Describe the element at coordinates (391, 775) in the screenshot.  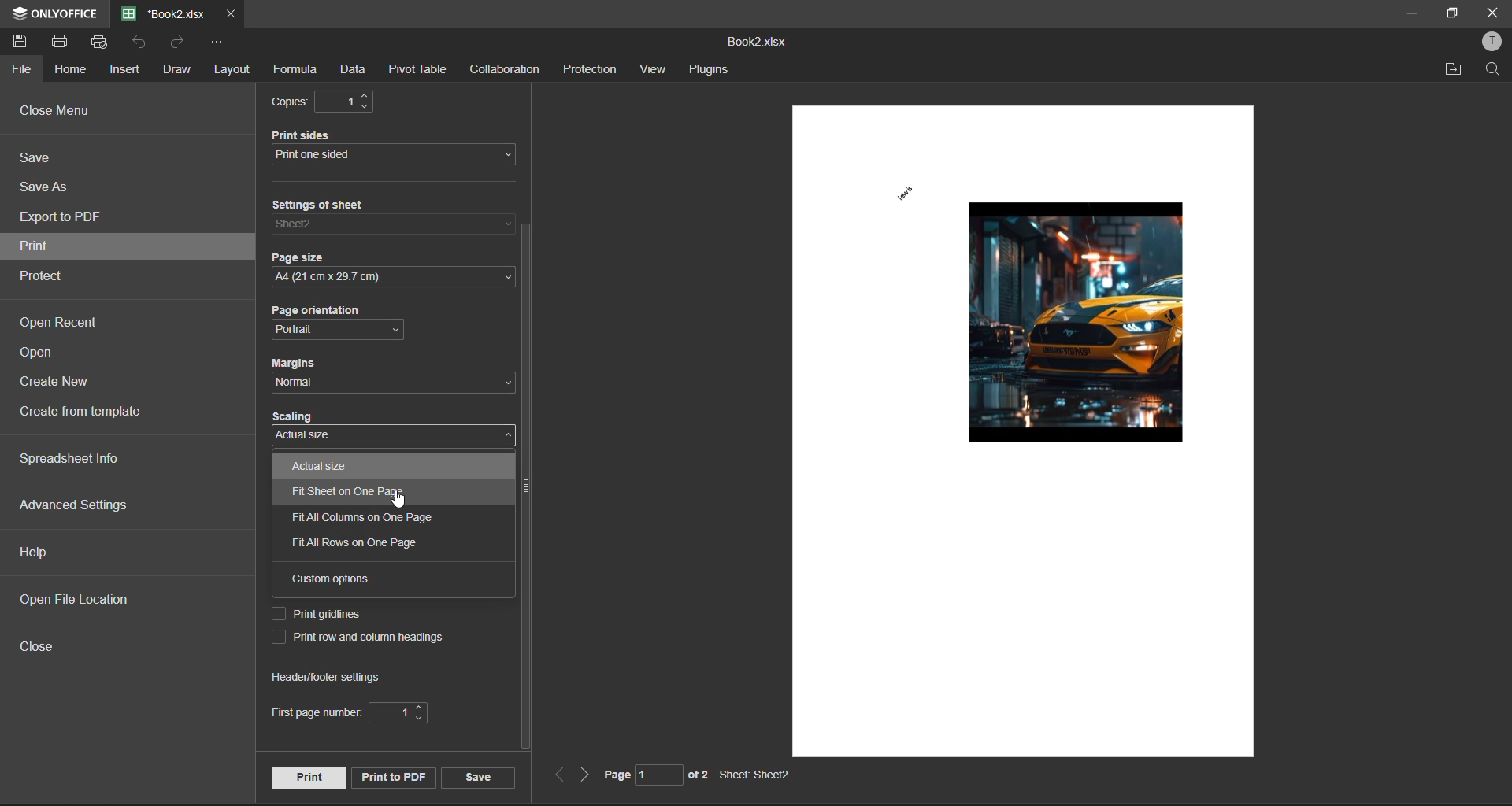
I see `print to pdf` at that location.